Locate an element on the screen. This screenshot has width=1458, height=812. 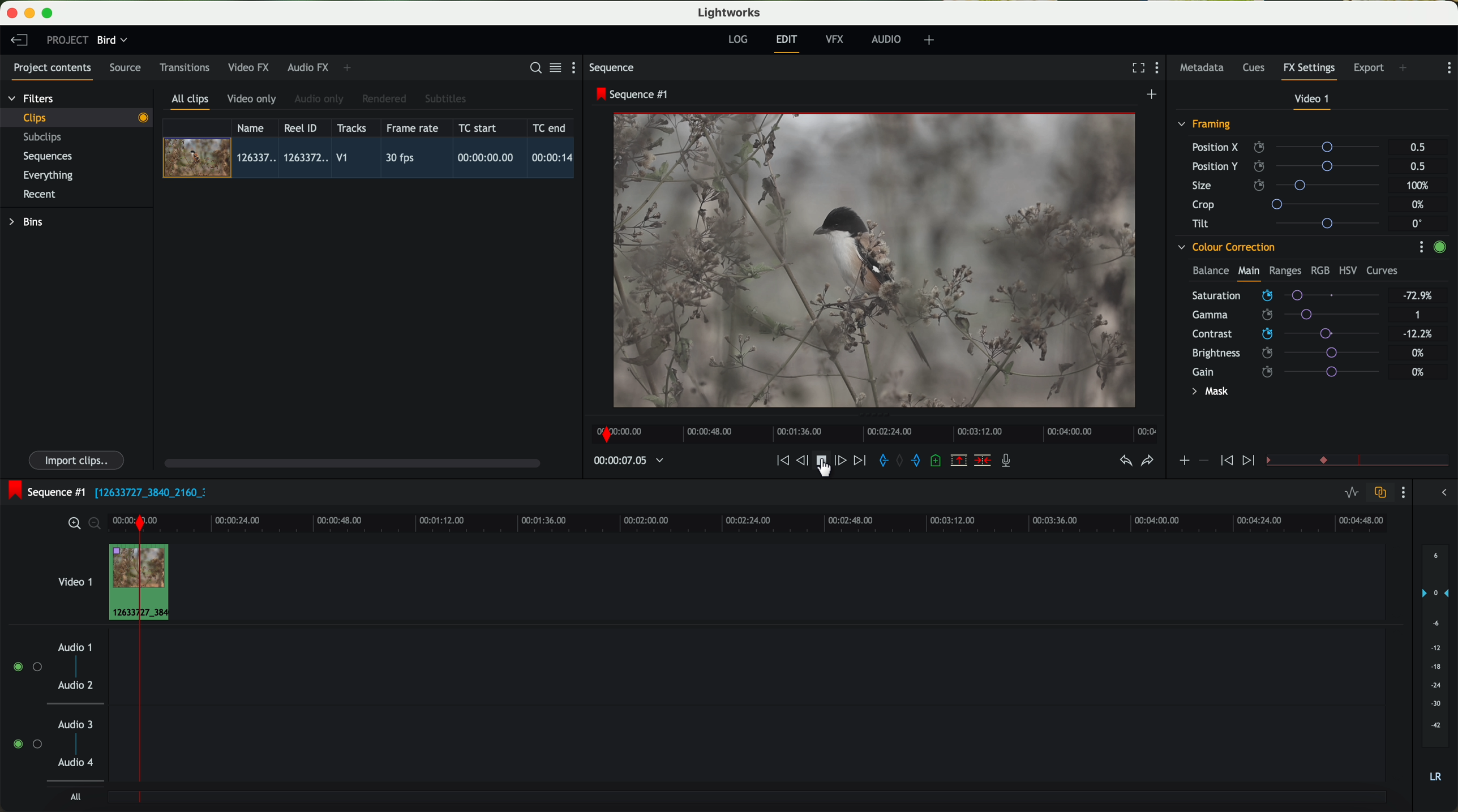
rendered is located at coordinates (385, 100).